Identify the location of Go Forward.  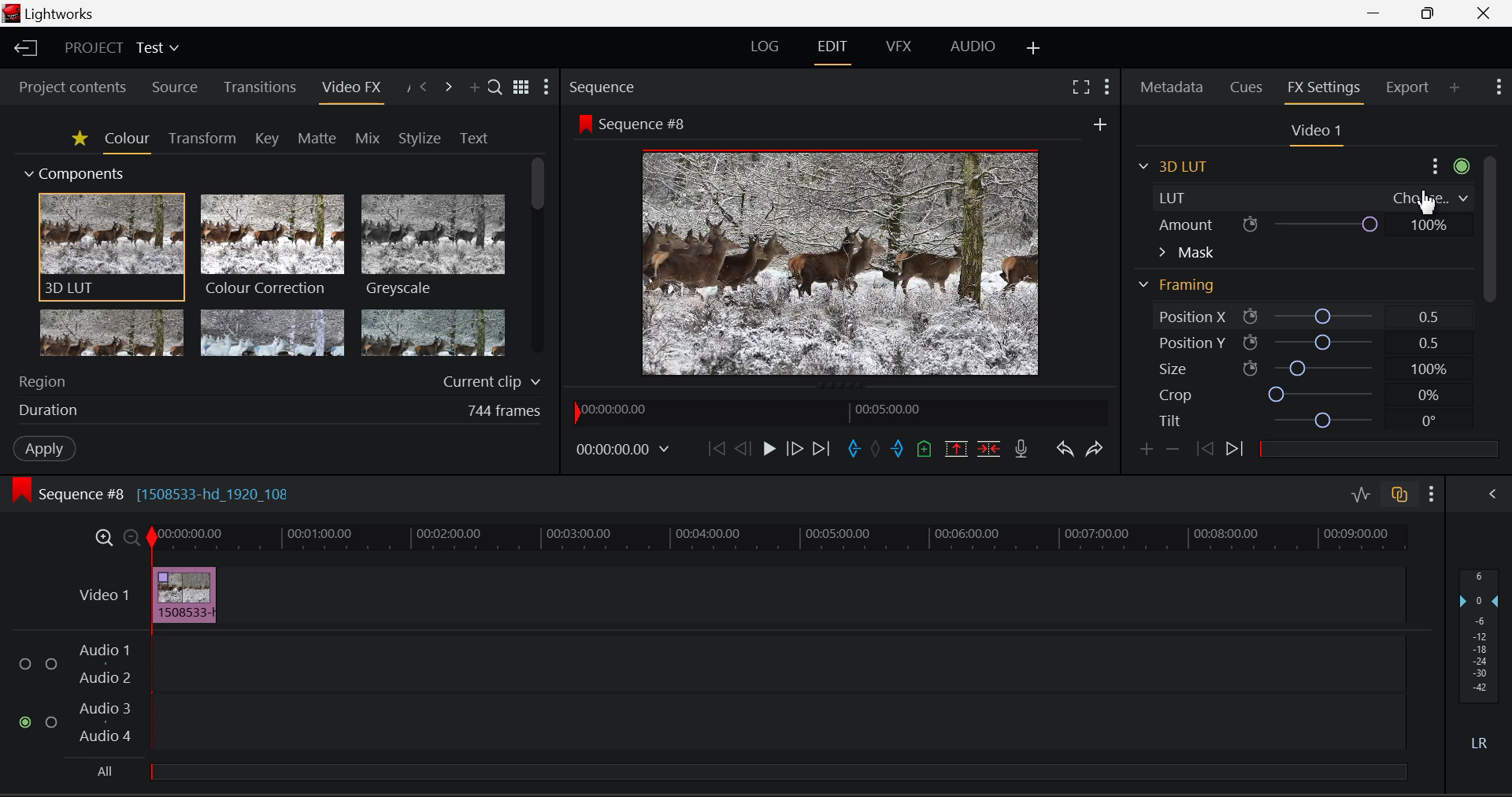
(795, 451).